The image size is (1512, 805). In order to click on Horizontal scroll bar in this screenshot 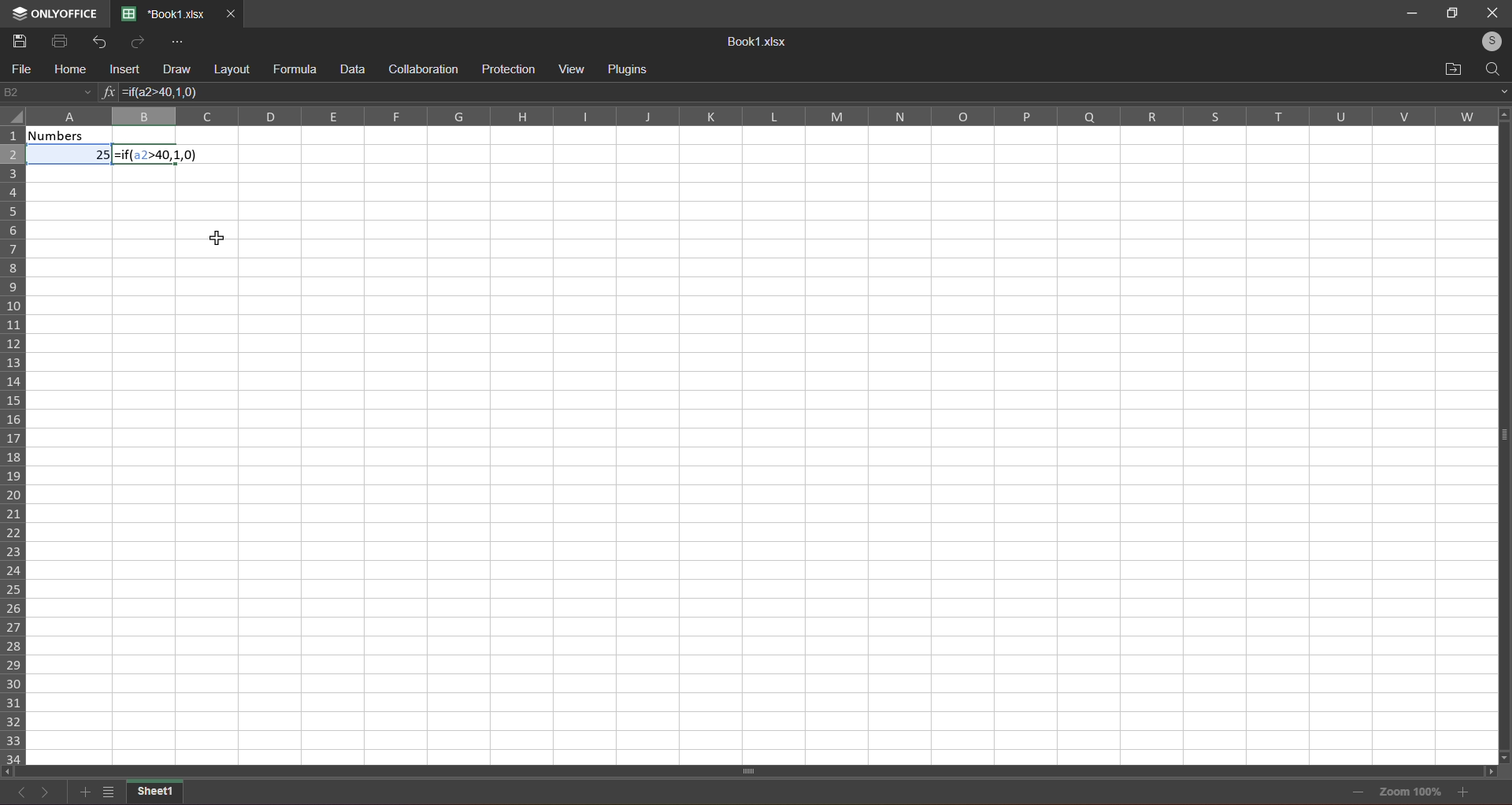, I will do `click(750, 770)`.